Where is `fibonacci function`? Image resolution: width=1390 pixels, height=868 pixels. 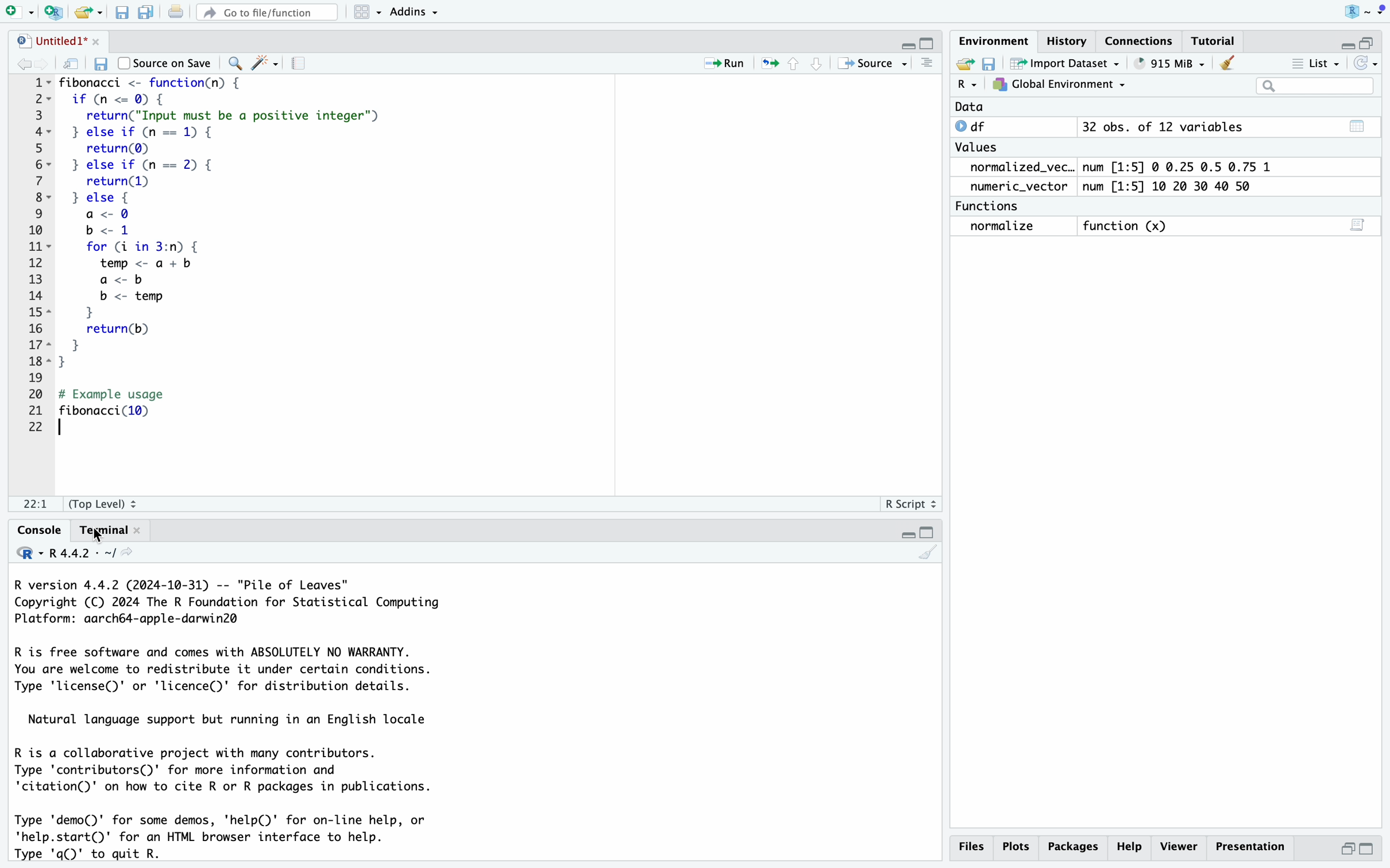
fibonacci function is located at coordinates (157, 84).